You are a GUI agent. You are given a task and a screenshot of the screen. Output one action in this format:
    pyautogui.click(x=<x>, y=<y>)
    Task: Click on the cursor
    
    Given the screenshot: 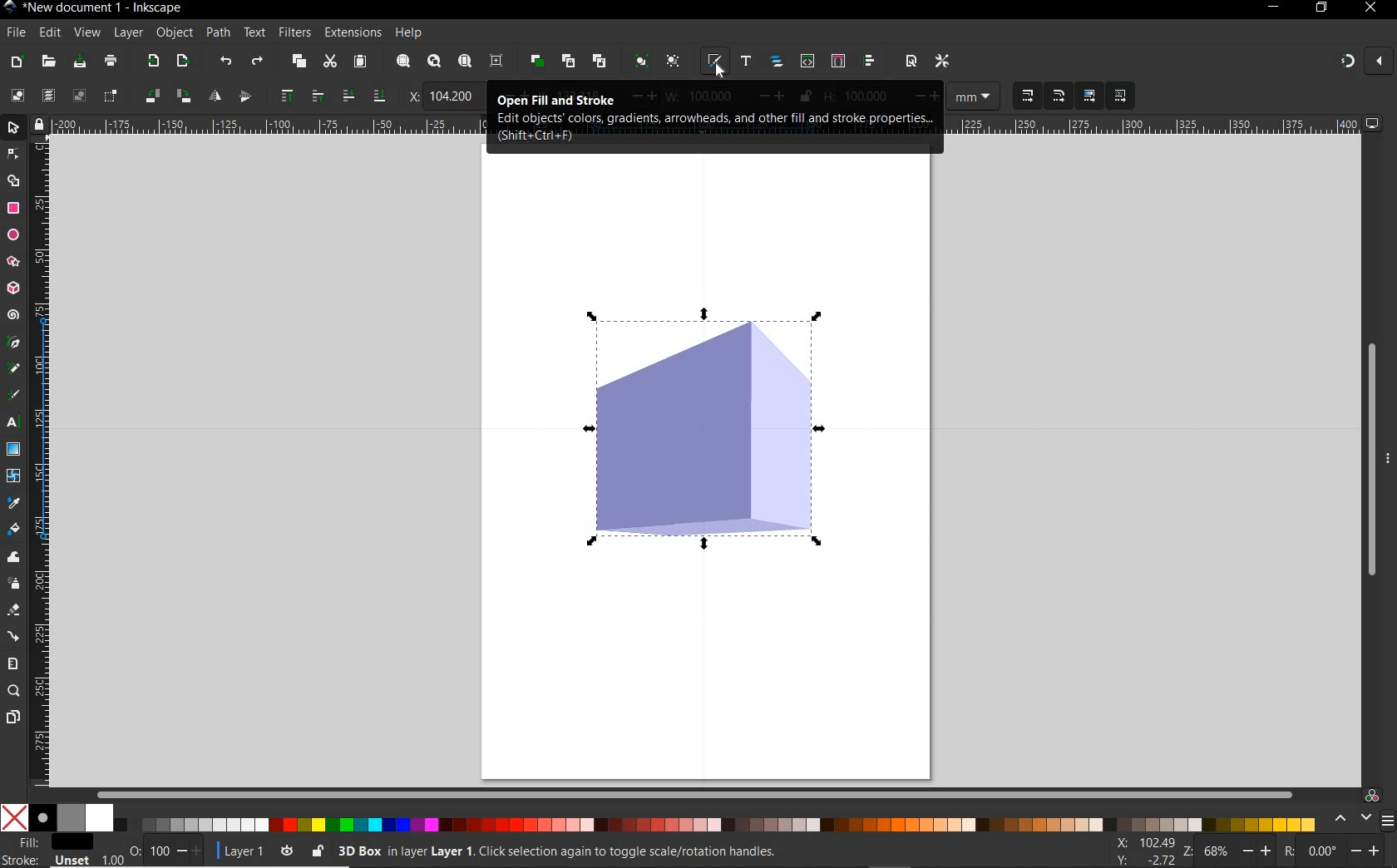 What is the action you would take?
    pyautogui.click(x=718, y=70)
    